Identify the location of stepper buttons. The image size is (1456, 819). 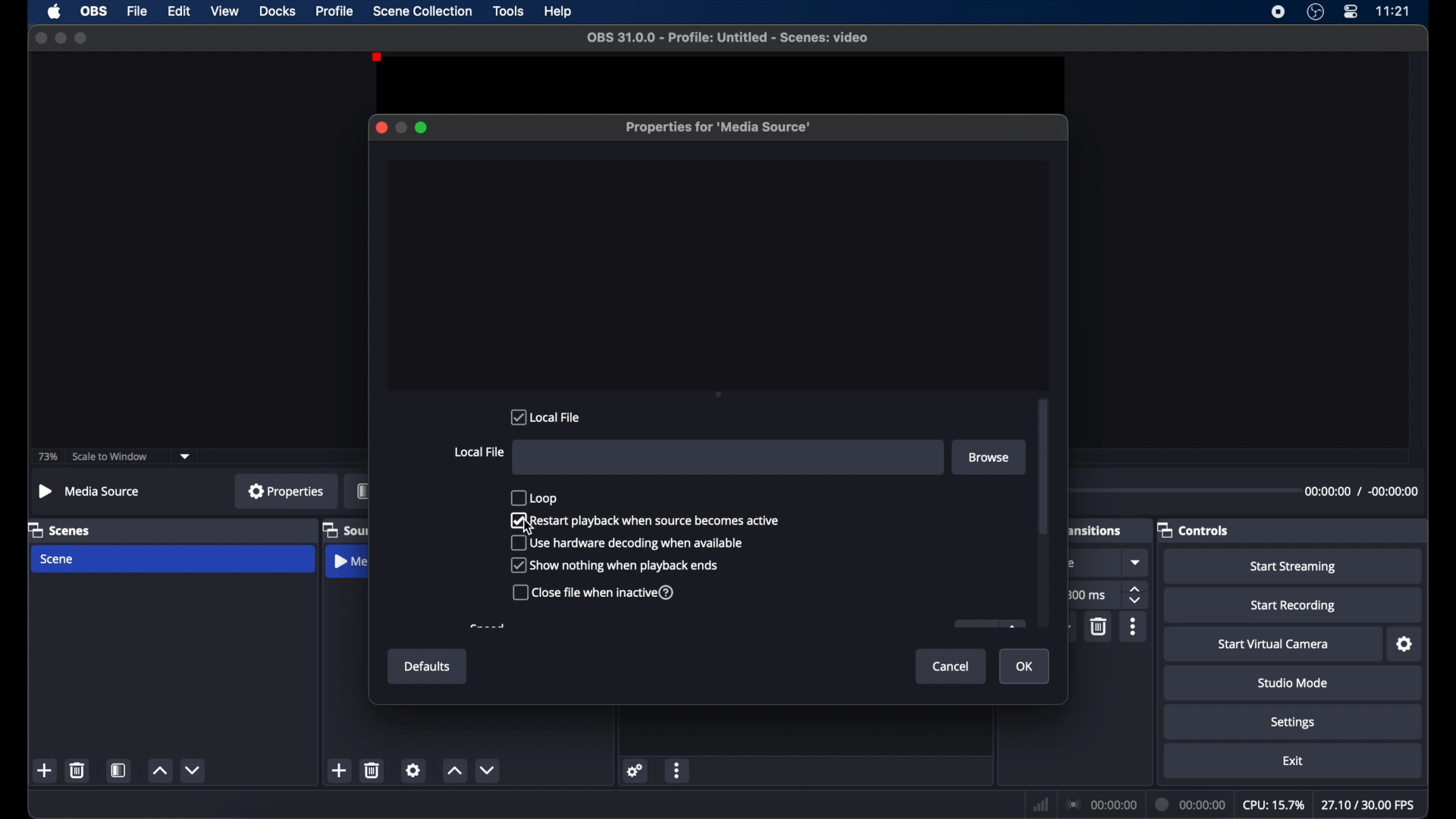
(1134, 595).